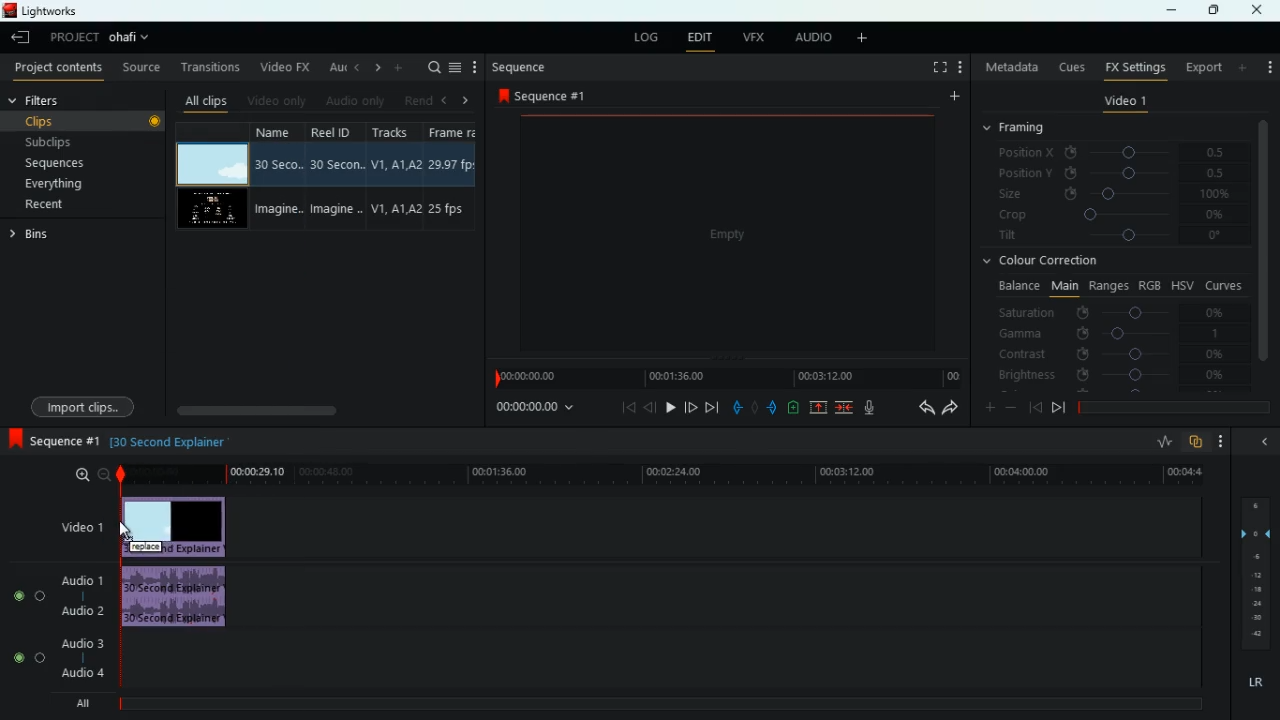 The image size is (1280, 720). What do you see at coordinates (167, 442) in the screenshot?
I see `time` at bounding box center [167, 442].